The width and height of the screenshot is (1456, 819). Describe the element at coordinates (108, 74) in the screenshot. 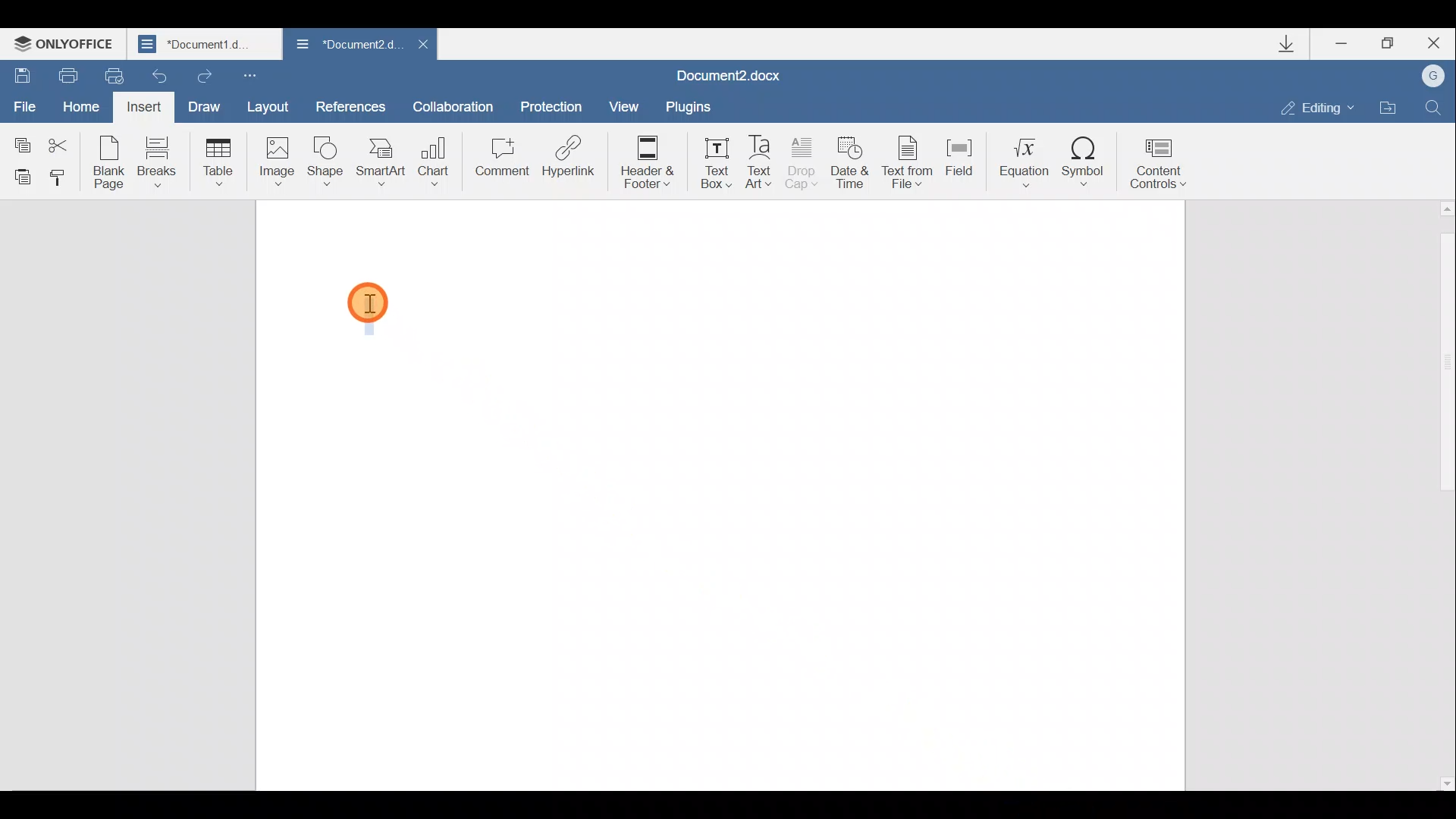

I see `Quick print` at that location.